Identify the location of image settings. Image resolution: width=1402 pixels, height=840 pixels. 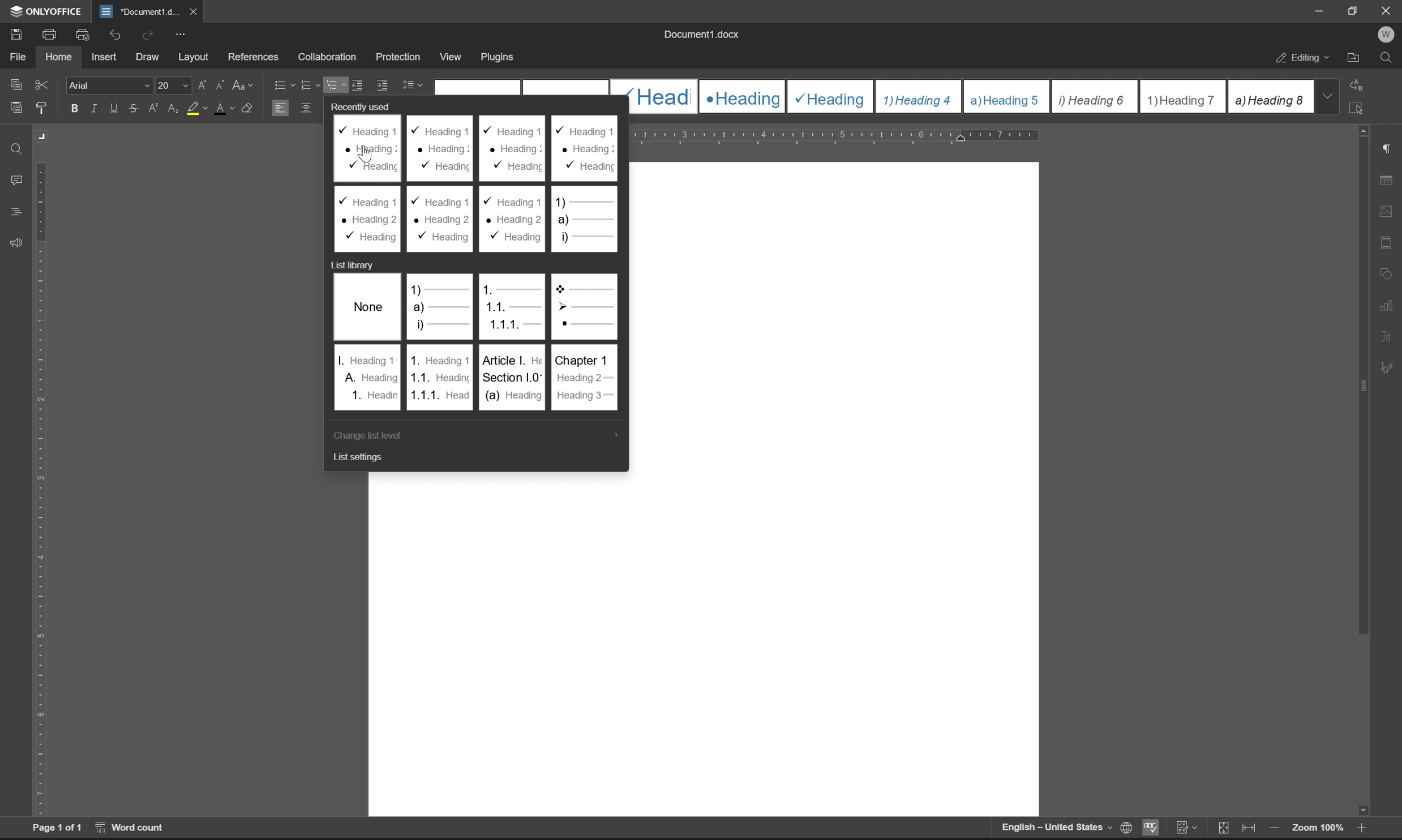
(1386, 208).